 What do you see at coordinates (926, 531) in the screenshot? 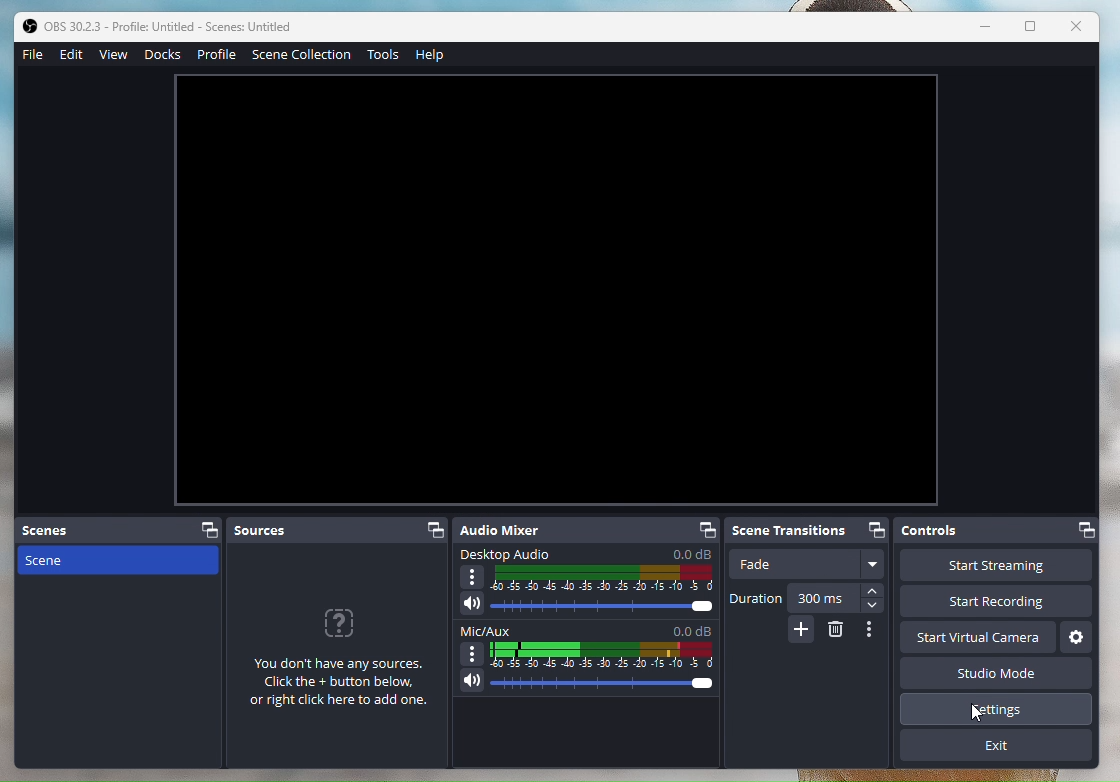
I see `Controls` at bounding box center [926, 531].